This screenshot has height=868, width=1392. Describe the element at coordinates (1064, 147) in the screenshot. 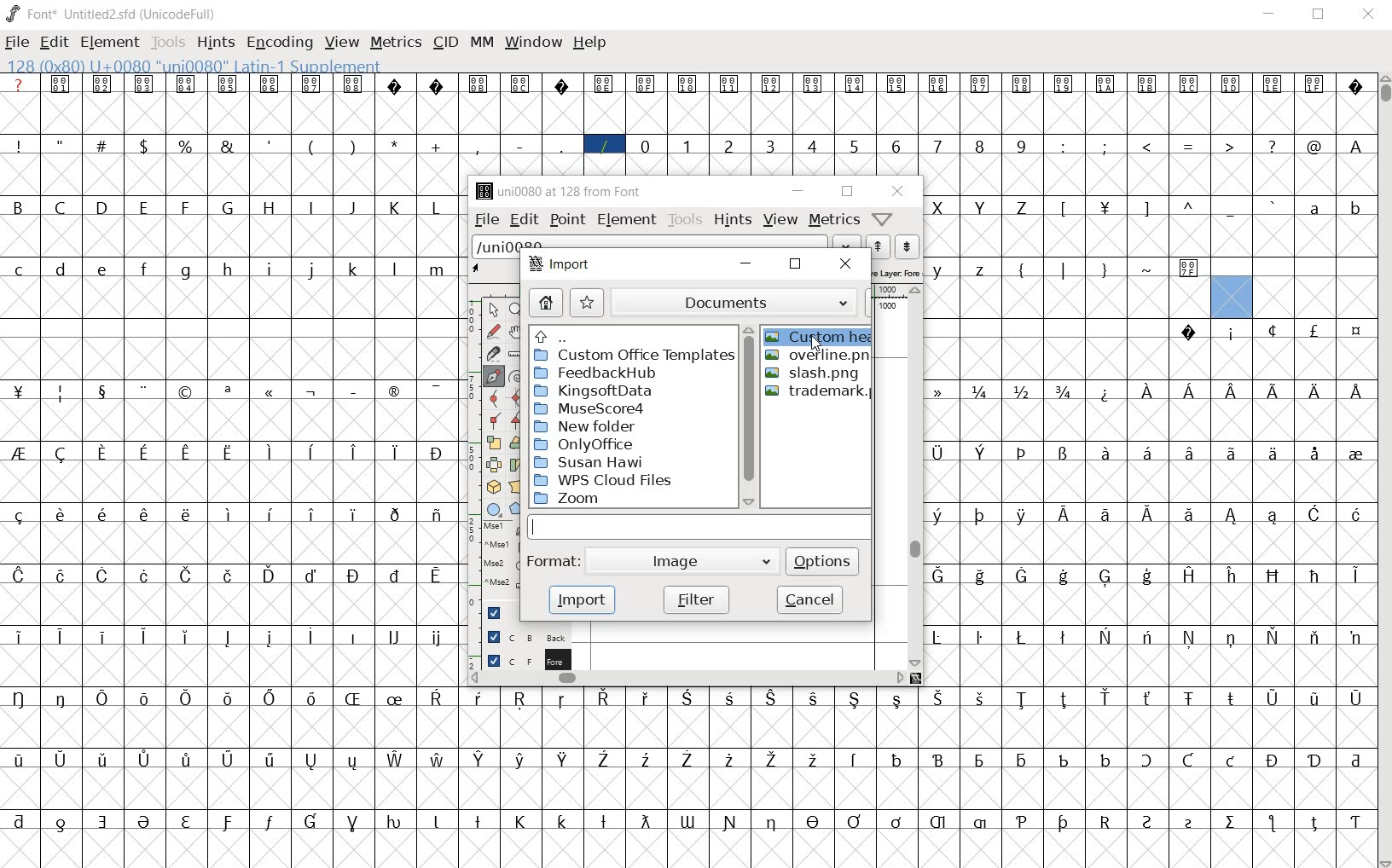

I see `glyph` at that location.